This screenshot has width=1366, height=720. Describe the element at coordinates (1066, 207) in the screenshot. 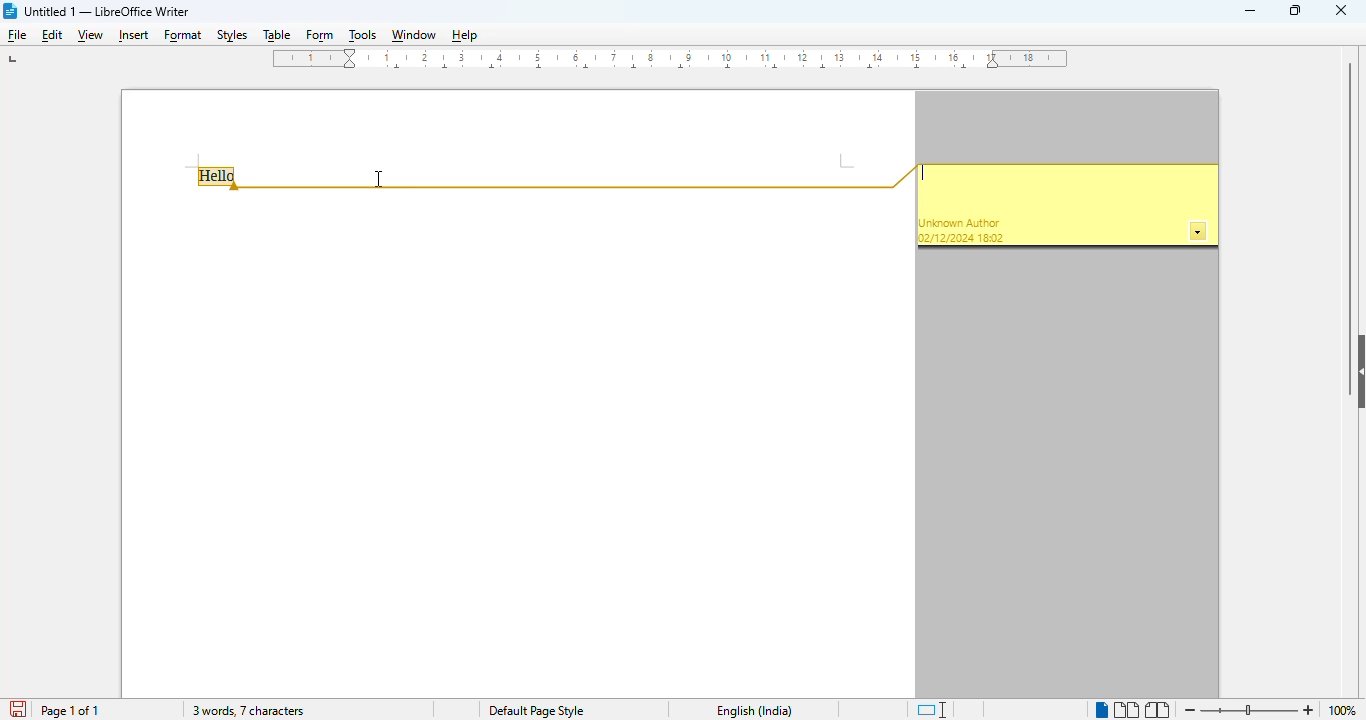

I see `comment` at that location.